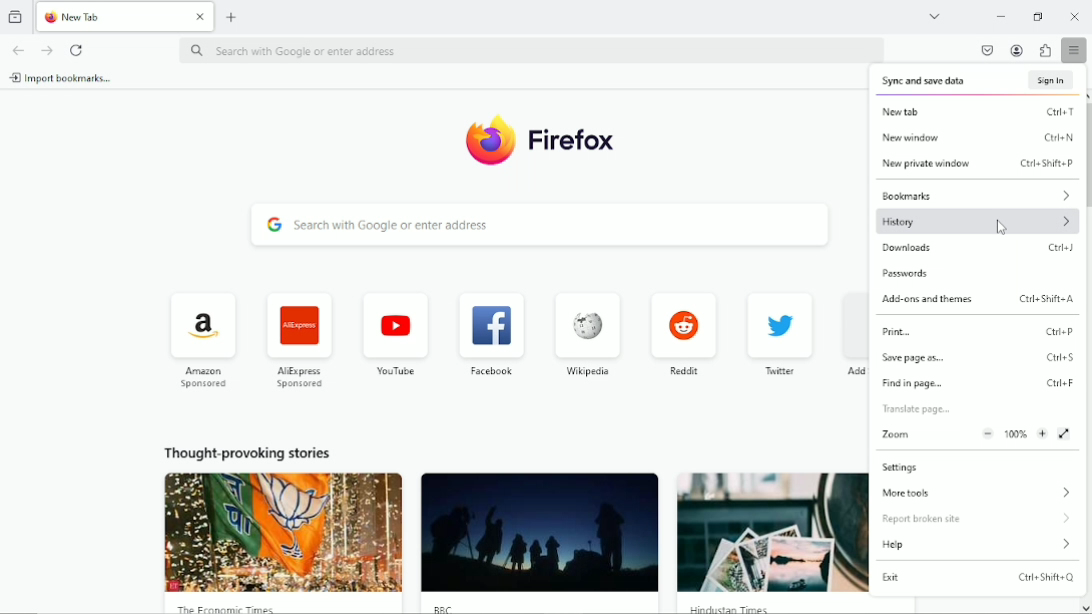 Image resolution: width=1092 pixels, height=614 pixels. I want to click on go back, so click(17, 49).